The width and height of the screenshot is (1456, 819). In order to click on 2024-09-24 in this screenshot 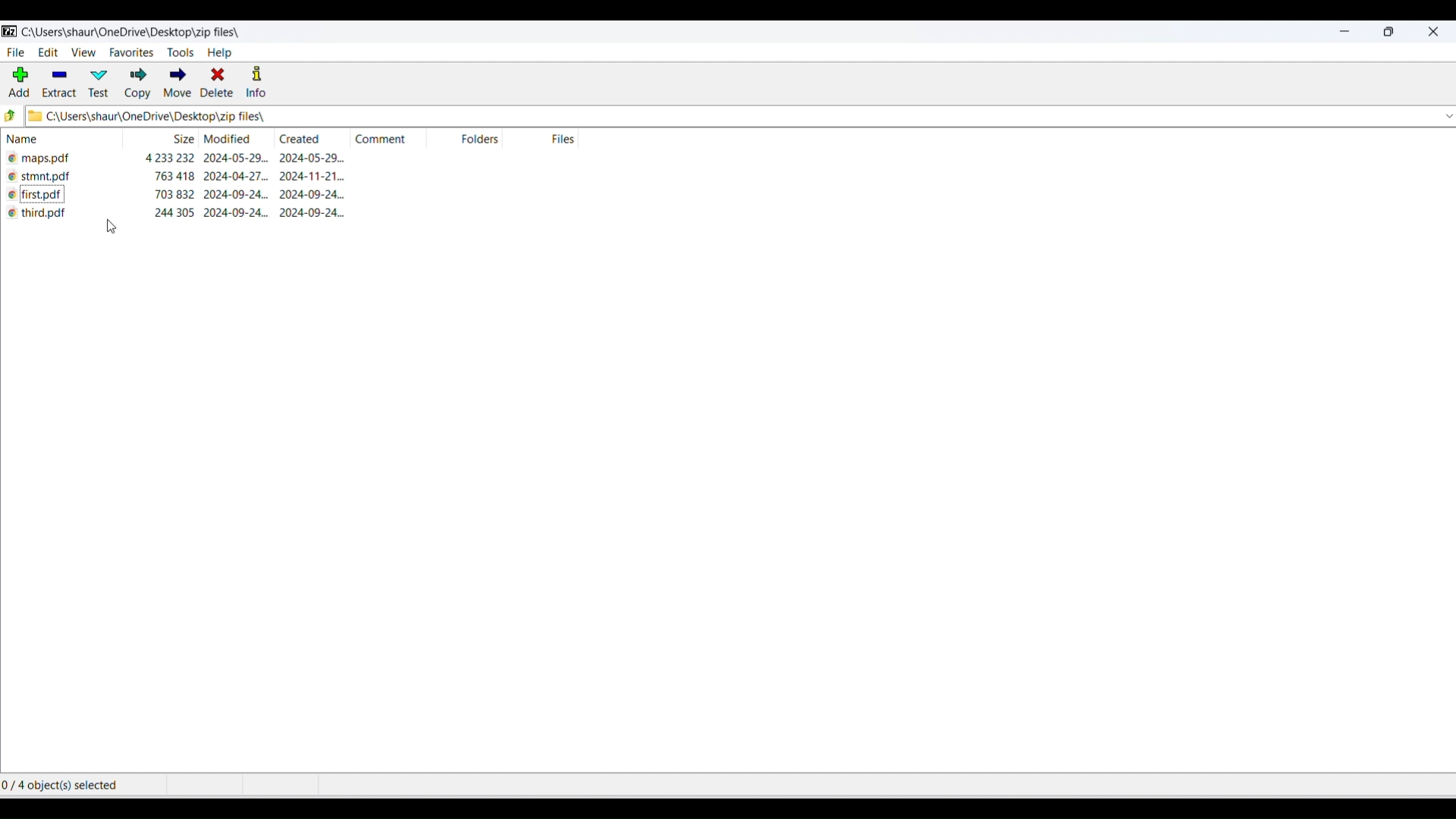, I will do `click(307, 216)`.